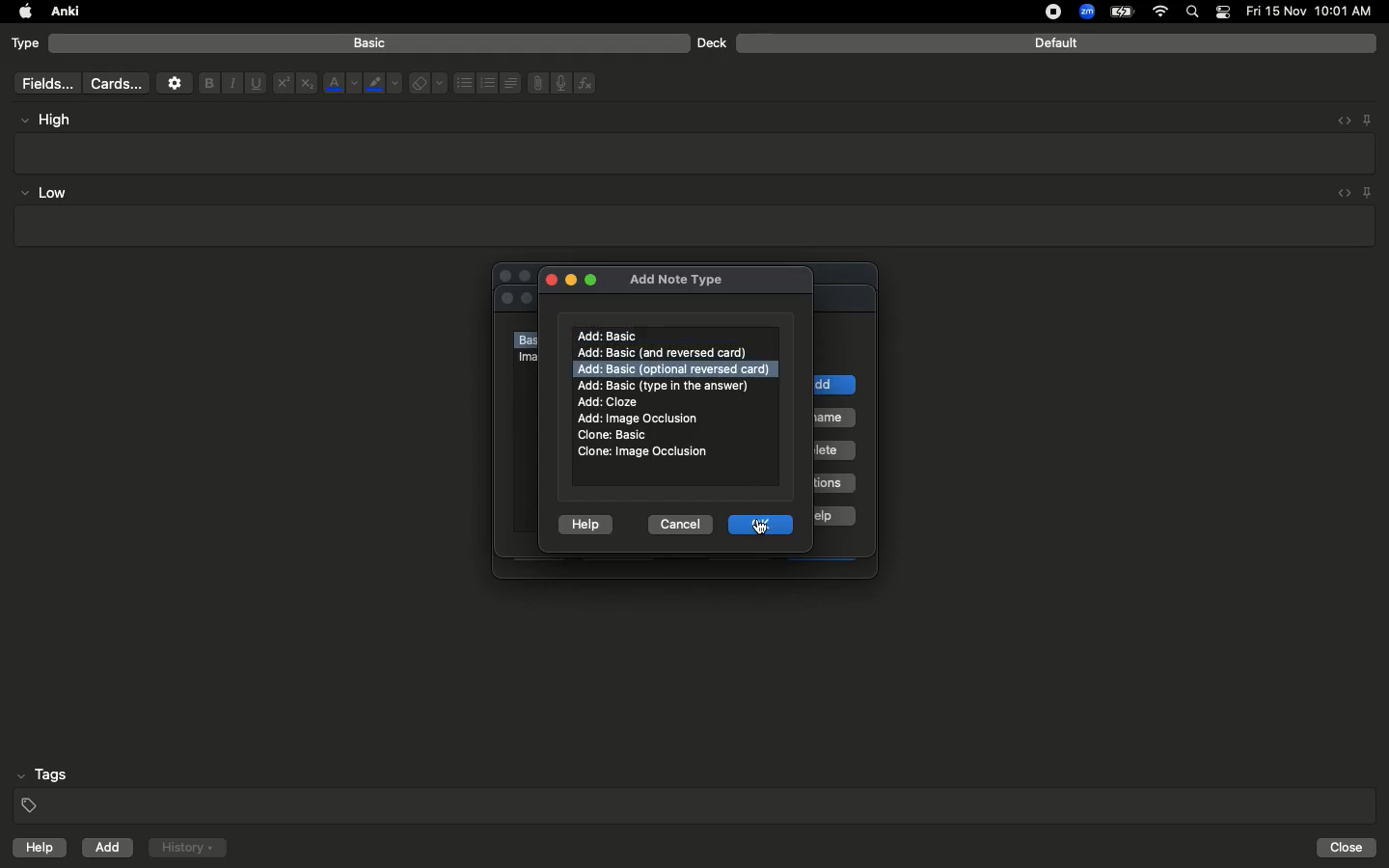  What do you see at coordinates (109, 848) in the screenshot?
I see `Add` at bounding box center [109, 848].